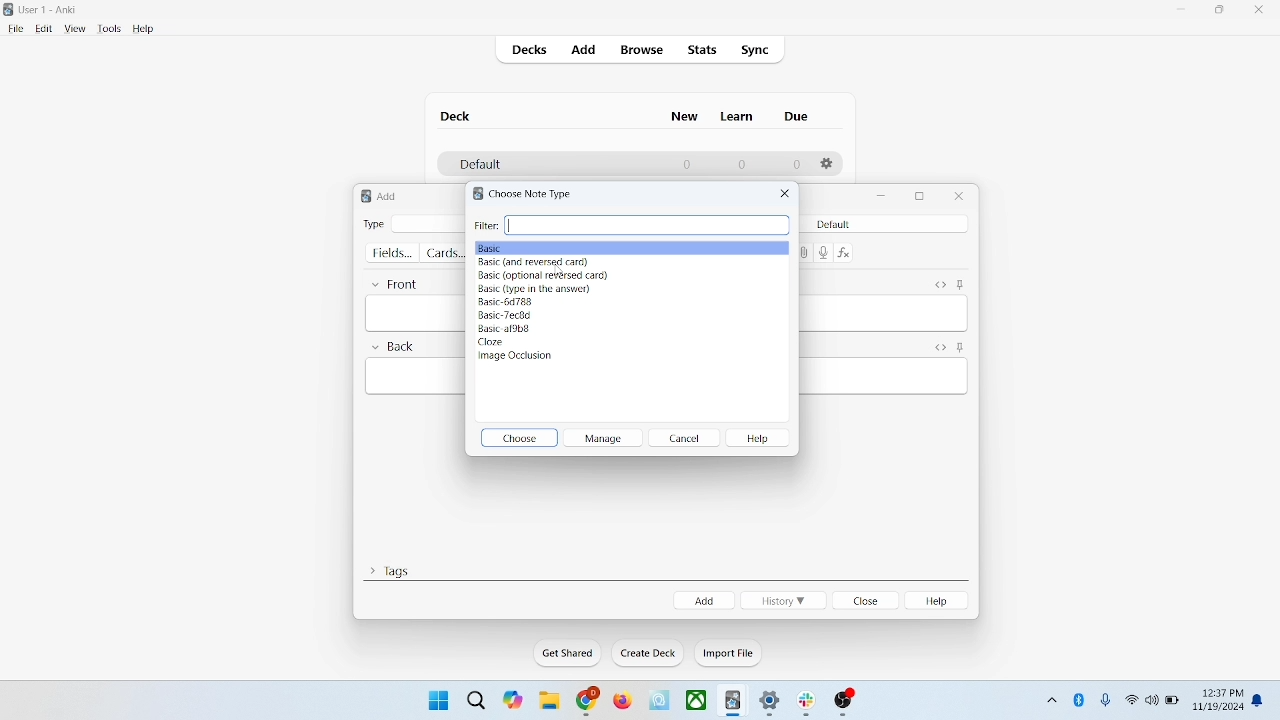  What do you see at coordinates (1263, 12) in the screenshot?
I see `close` at bounding box center [1263, 12].